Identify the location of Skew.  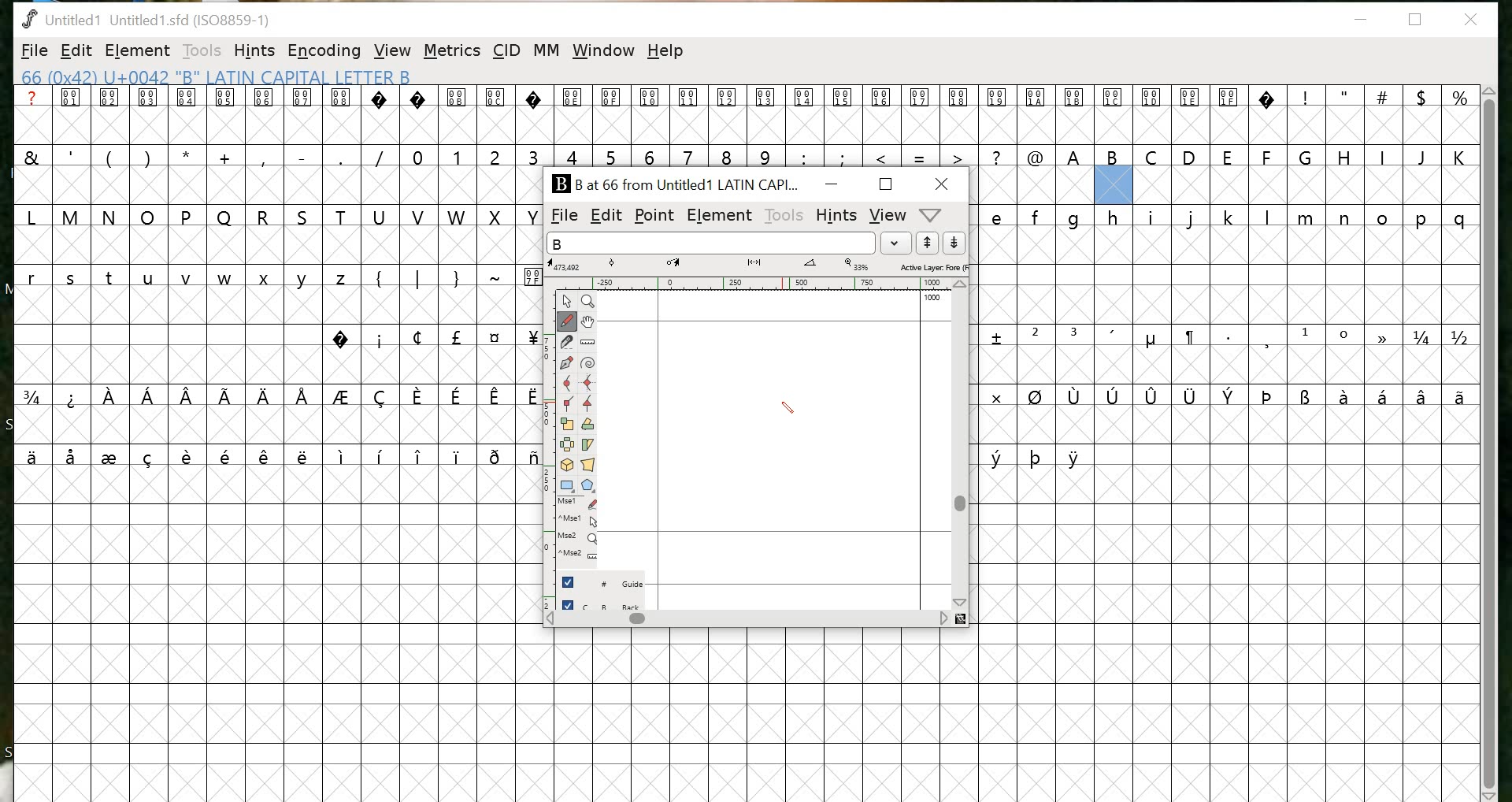
(587, 447).